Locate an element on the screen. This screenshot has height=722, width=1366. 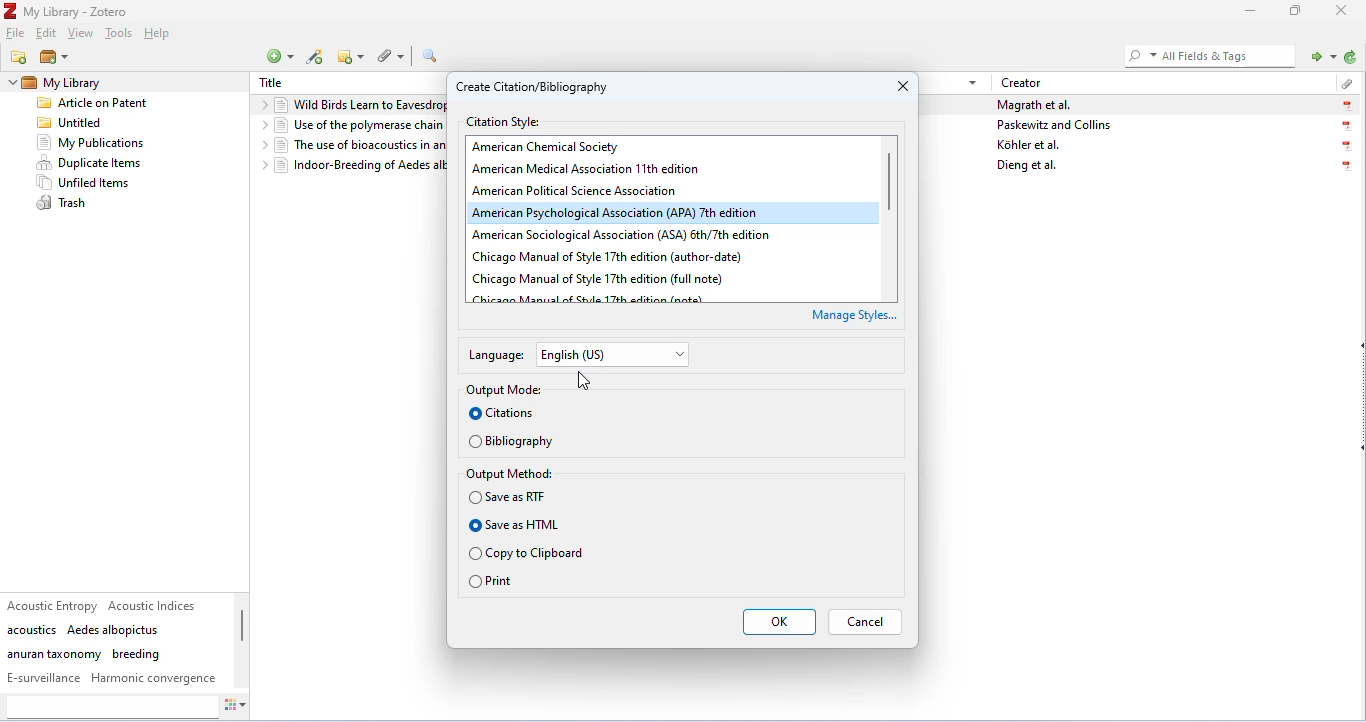
output method is located at coordinates (513, 474).